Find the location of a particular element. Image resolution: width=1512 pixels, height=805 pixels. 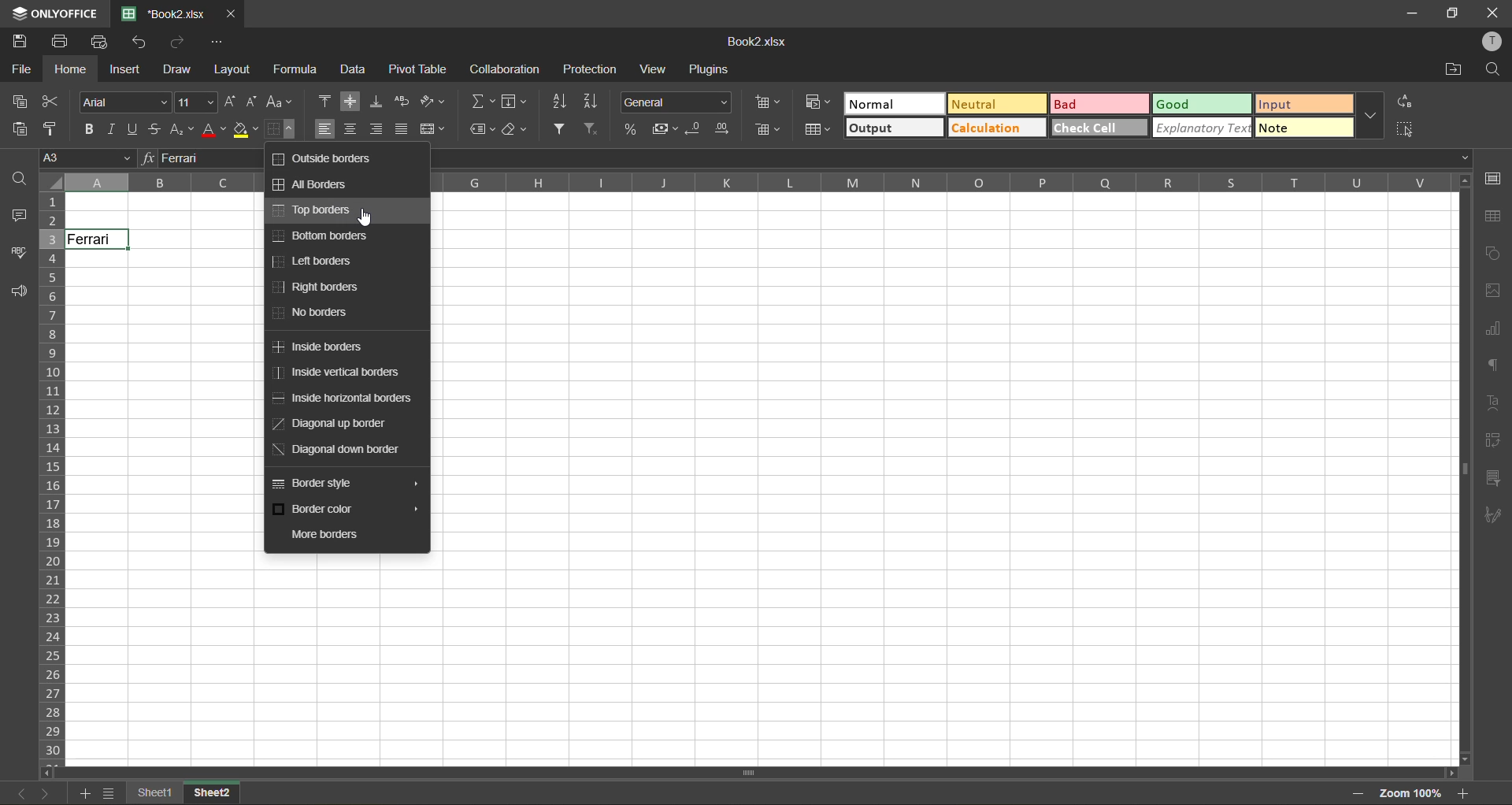

insert cells is located at coordinates (770, 101).